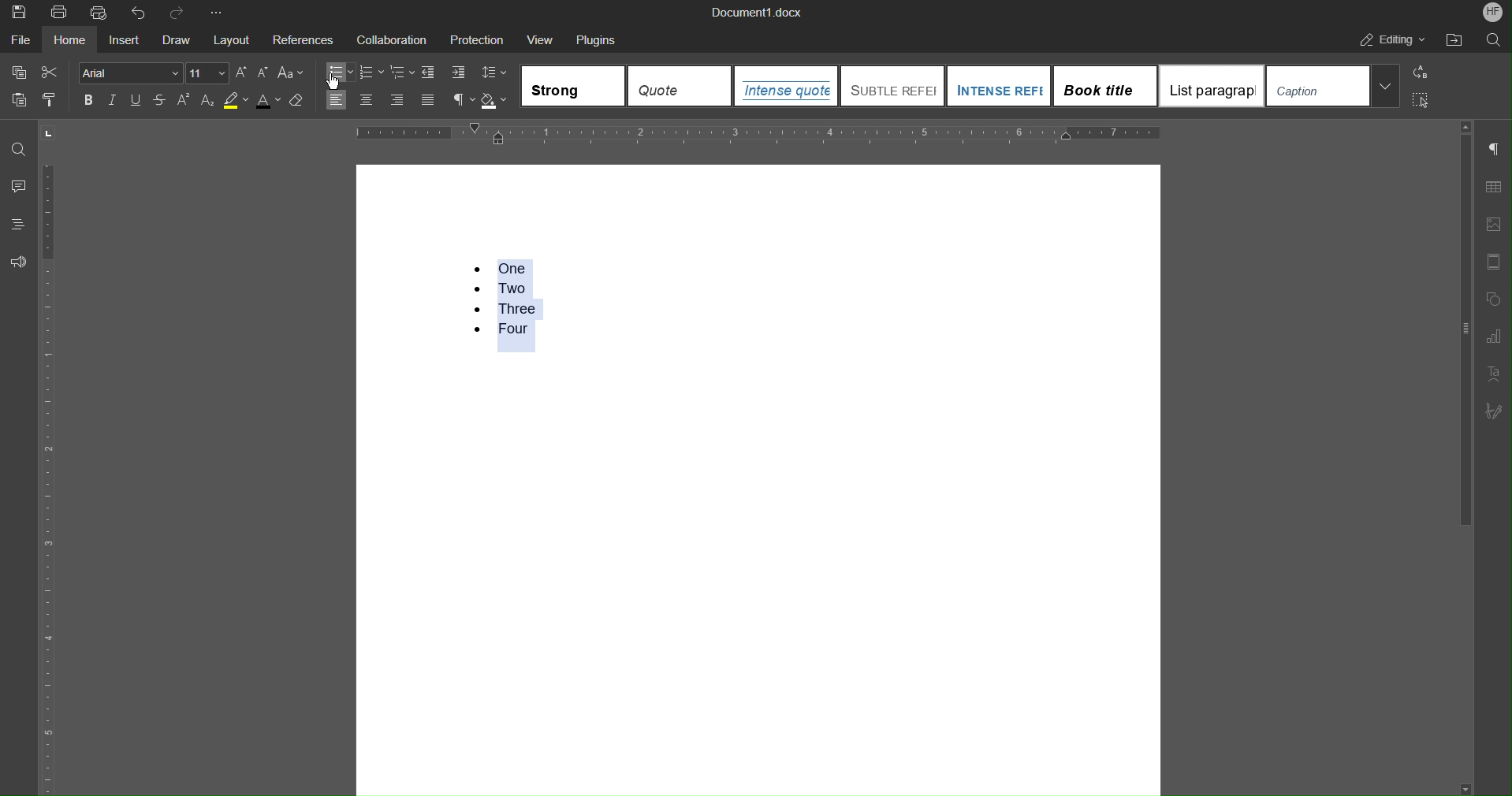 The image size is (1512, 796). What do you see at coordinates (1489, 38) in the screenshot?
I see `Search` at bounding box center [1489, 38].